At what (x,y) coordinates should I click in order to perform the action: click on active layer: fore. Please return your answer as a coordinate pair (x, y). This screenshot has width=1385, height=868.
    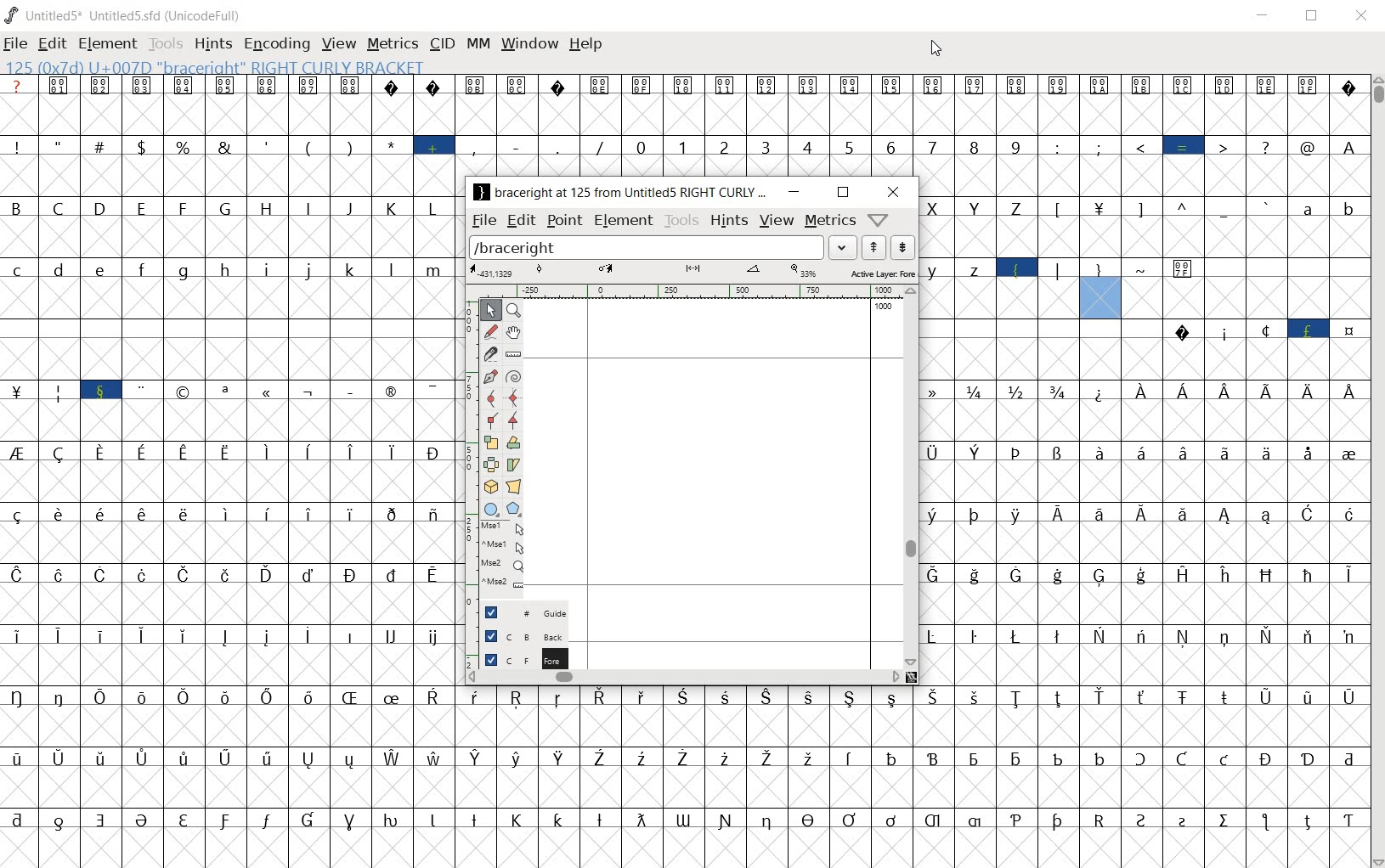
    Looking at the image, I should click on (698, 272).